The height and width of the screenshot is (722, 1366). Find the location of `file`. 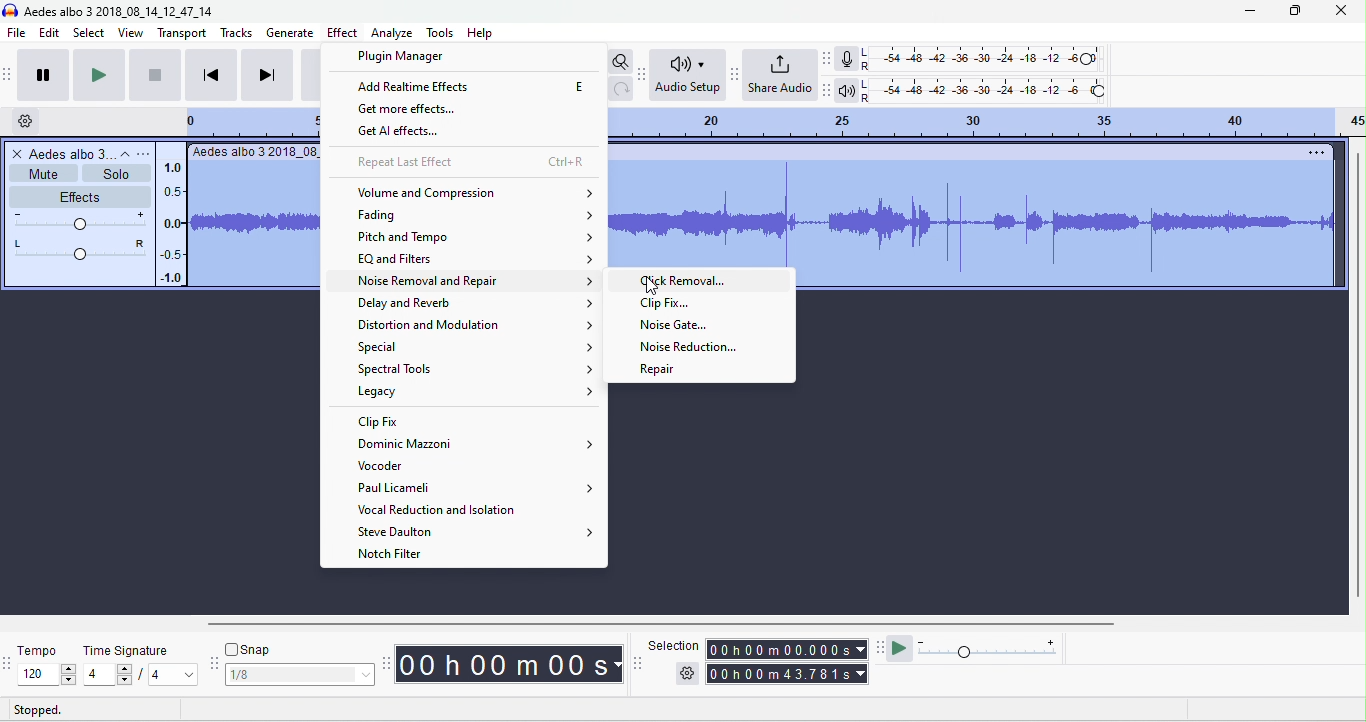

file is located at coordinates (16, 32).